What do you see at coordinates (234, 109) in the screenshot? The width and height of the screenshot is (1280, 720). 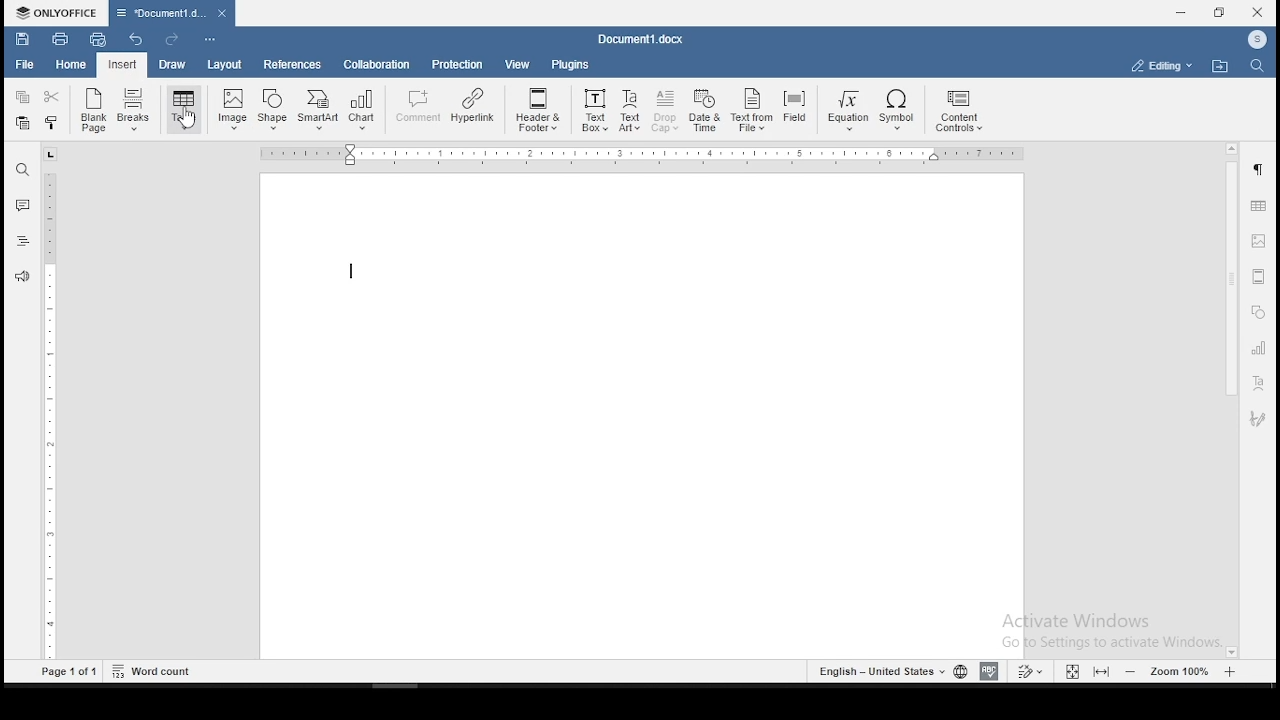 I see `Image` at bounding box center [234, 109].